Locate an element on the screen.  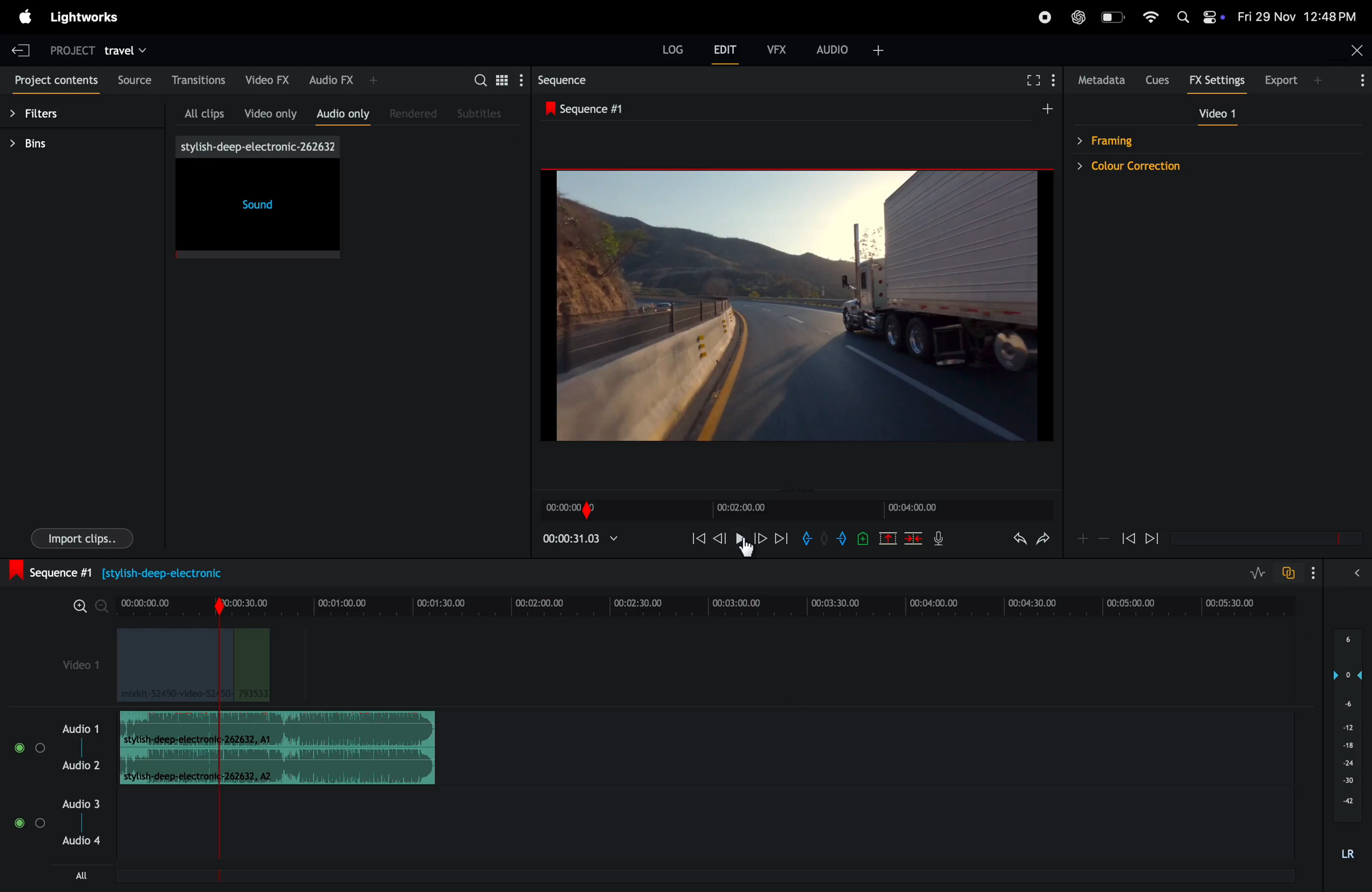
light works is located at coordinates (87, 17).